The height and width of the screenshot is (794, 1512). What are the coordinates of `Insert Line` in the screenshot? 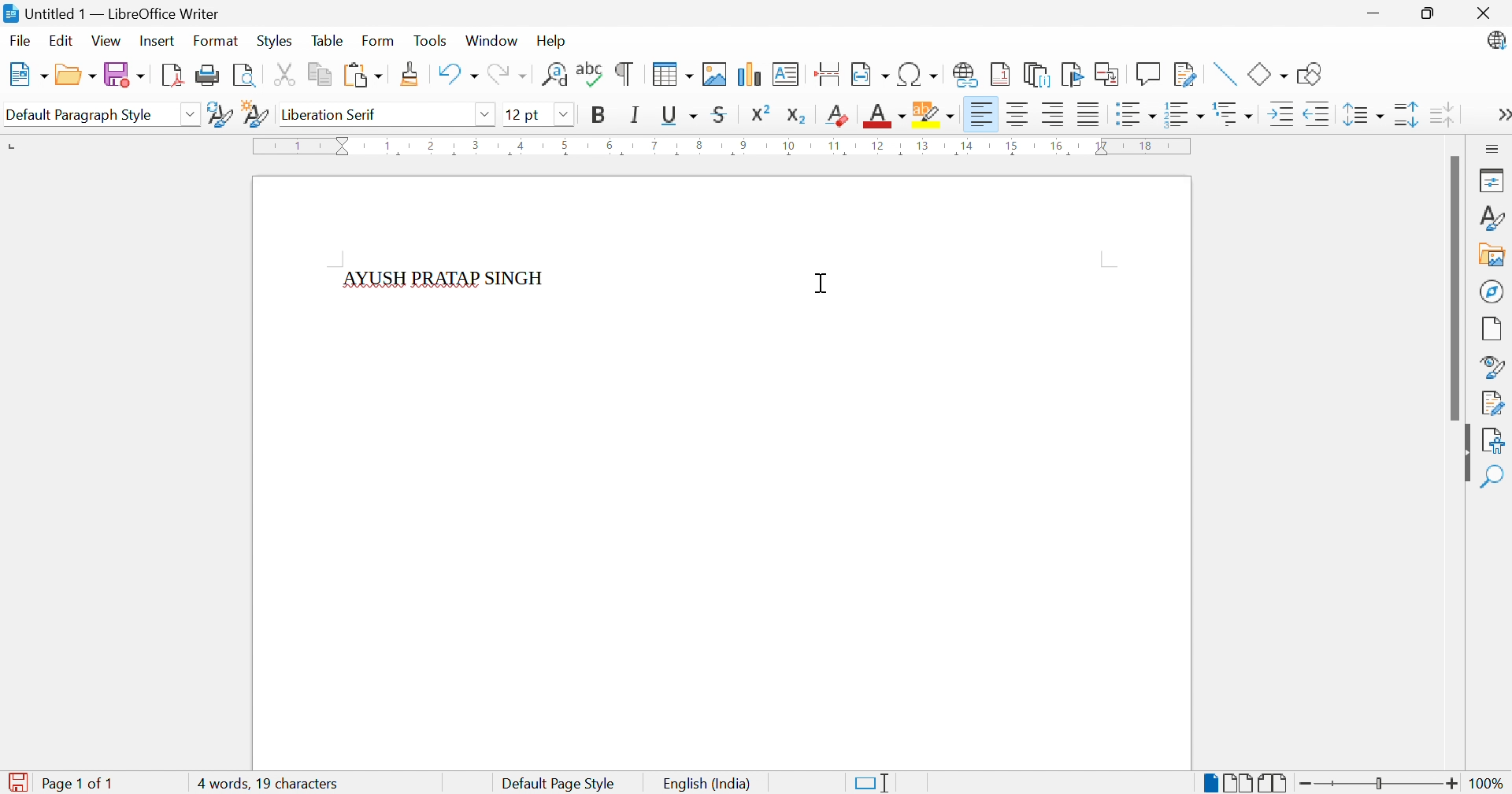 It's located at (1225, 73).